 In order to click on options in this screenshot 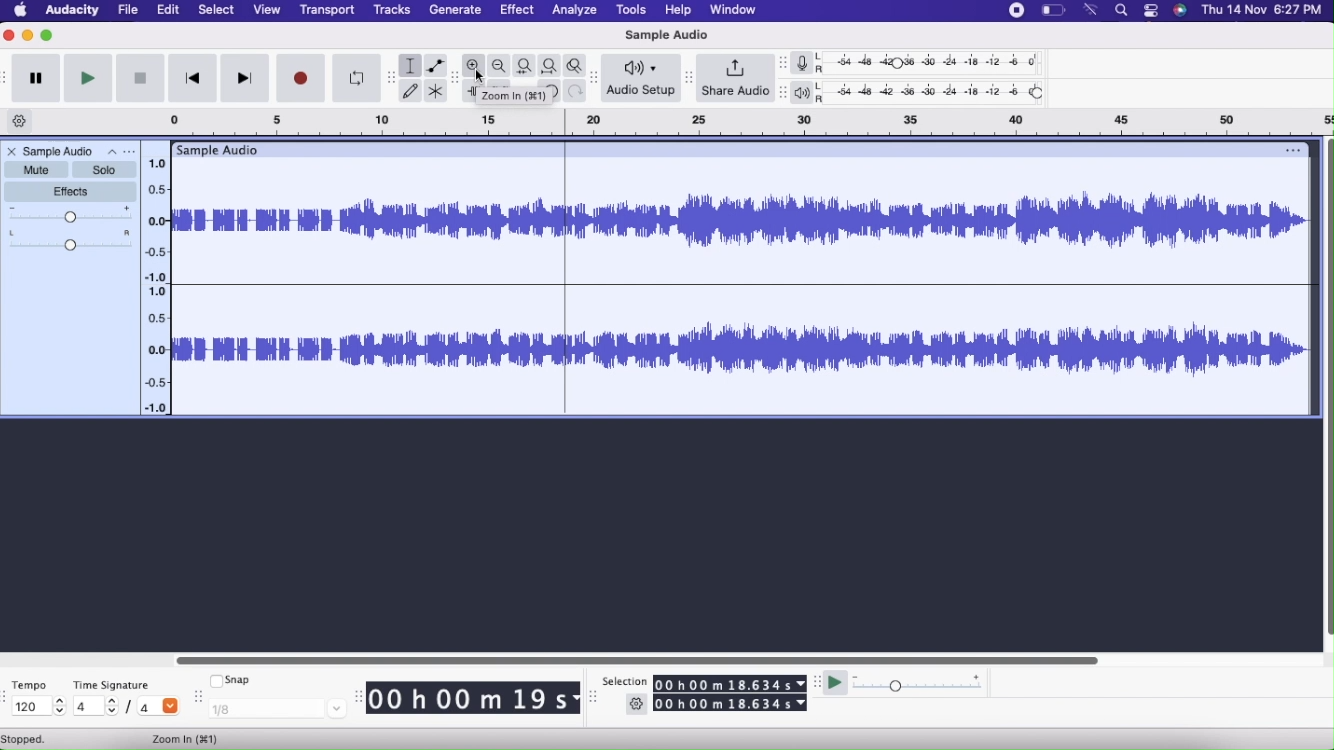, I will do `click(1291, 149)`.